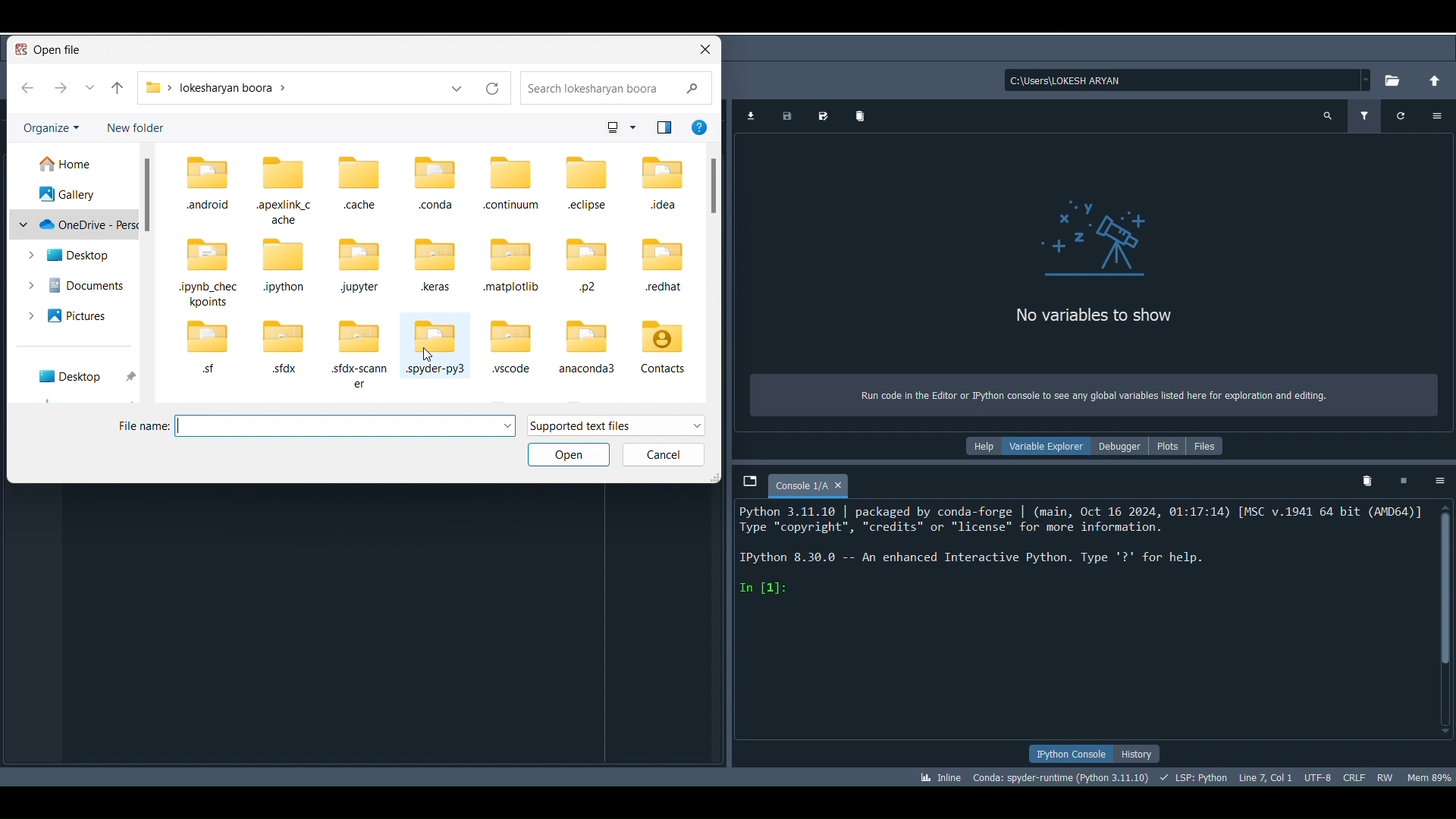 The width and height of the screenshot is (1456, 819). What do you see at coordinates (664, 129) in the screenshot?
I see `Icon` at bounding box center [664, 129].